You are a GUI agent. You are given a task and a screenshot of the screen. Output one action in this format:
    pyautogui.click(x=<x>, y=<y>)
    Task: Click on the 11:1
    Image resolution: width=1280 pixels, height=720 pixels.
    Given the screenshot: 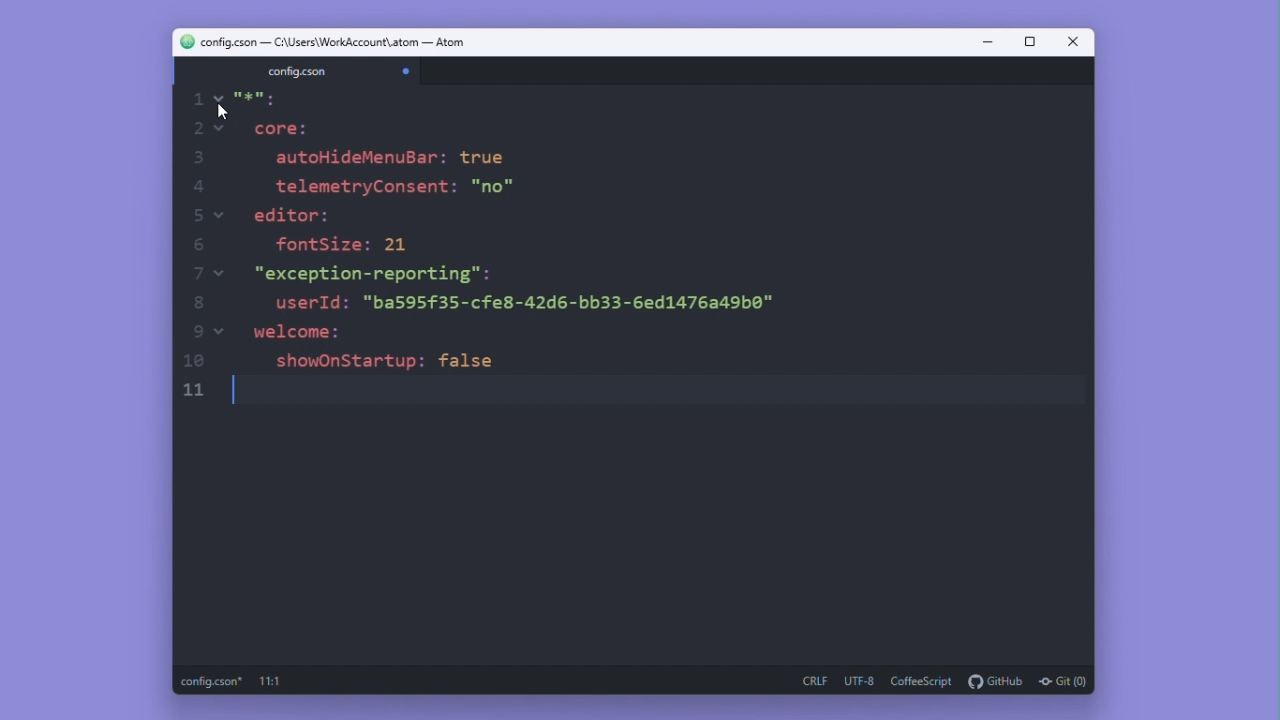 What is the action you would take?
    pyautogui.click(x=272, y=682)
    